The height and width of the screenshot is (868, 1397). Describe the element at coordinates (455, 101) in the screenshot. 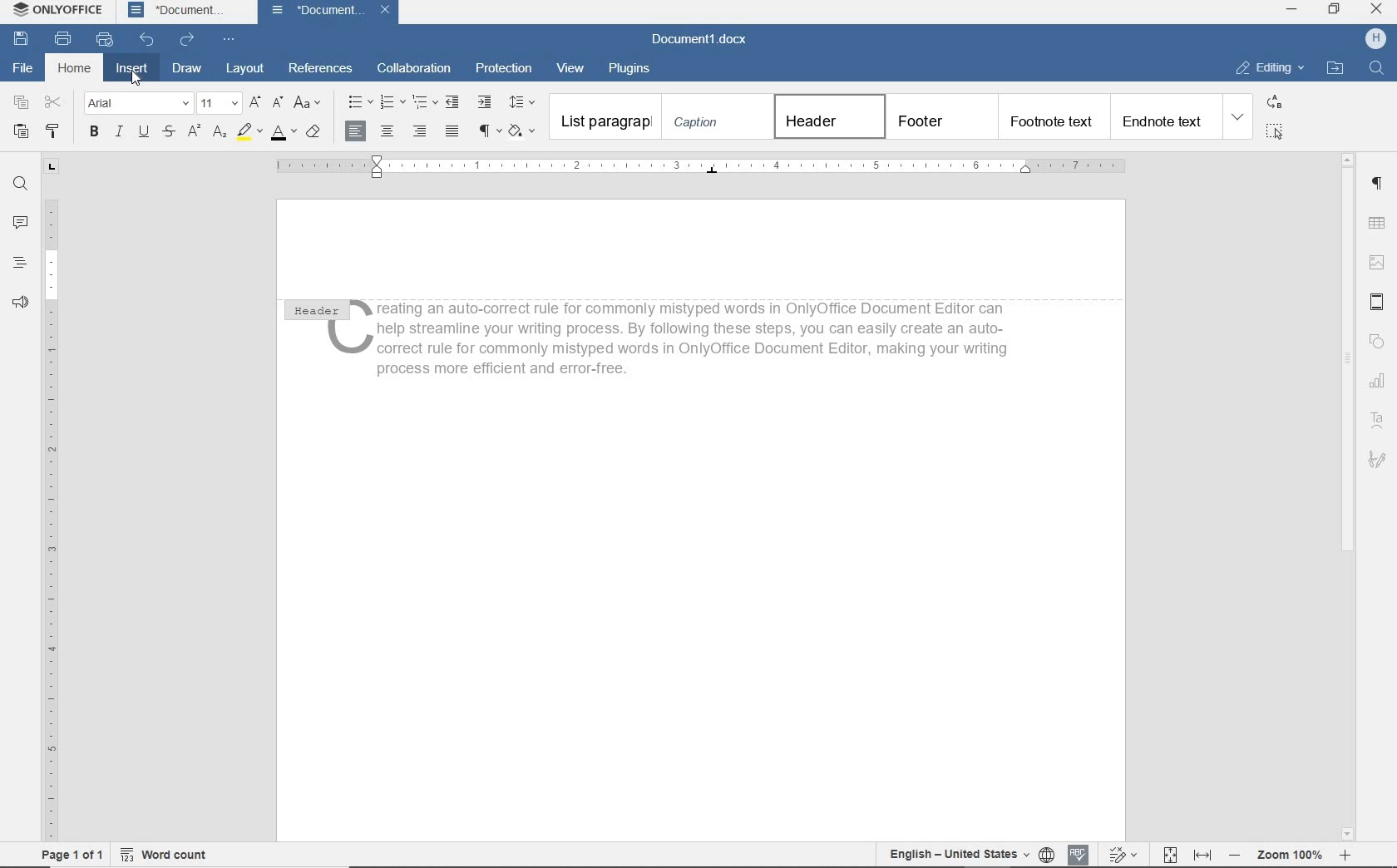

I see `DECREASE INDENT` at that location.